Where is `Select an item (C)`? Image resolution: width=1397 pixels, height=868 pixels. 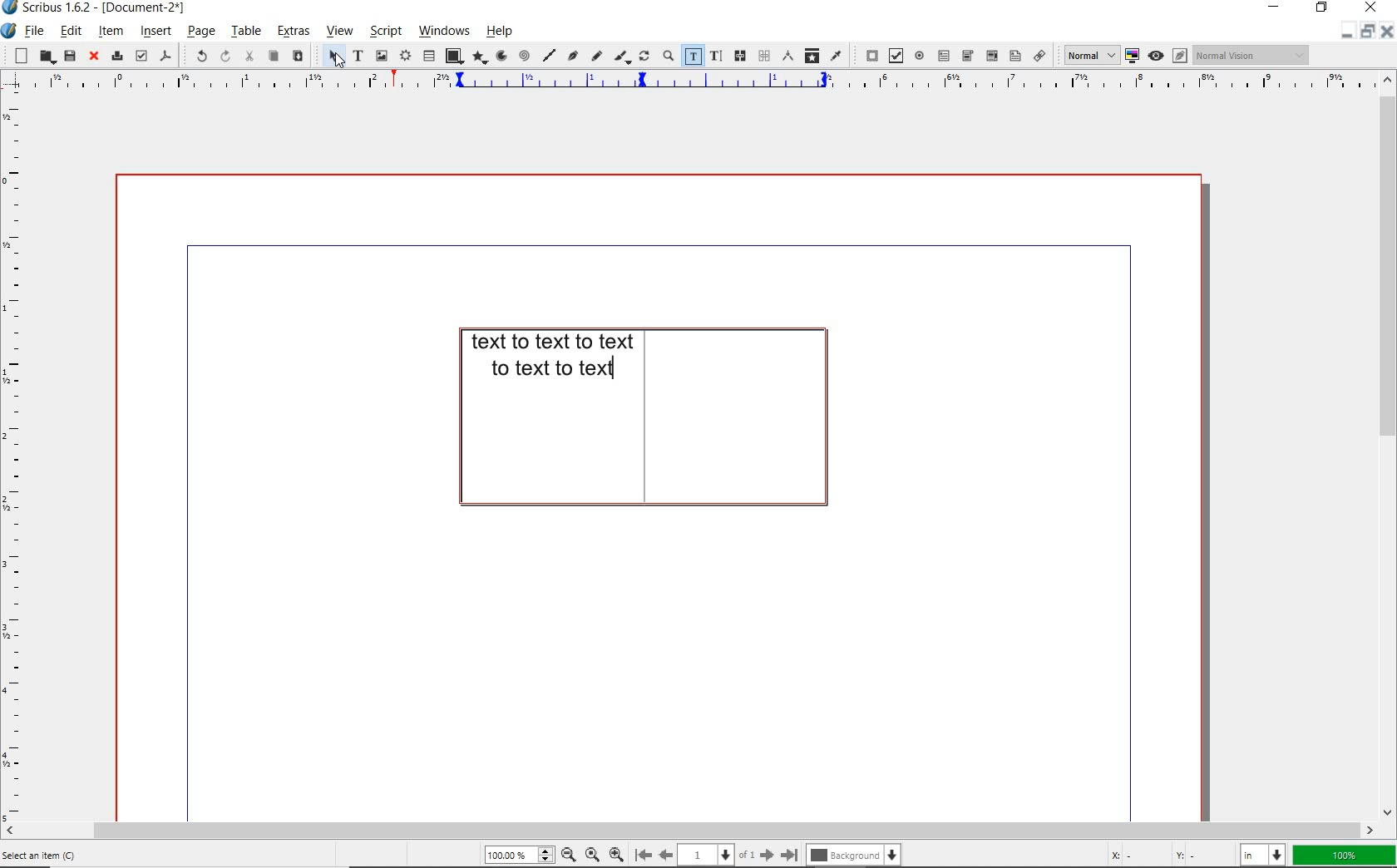 Select an item (C) is located at coordinates (52, 856).